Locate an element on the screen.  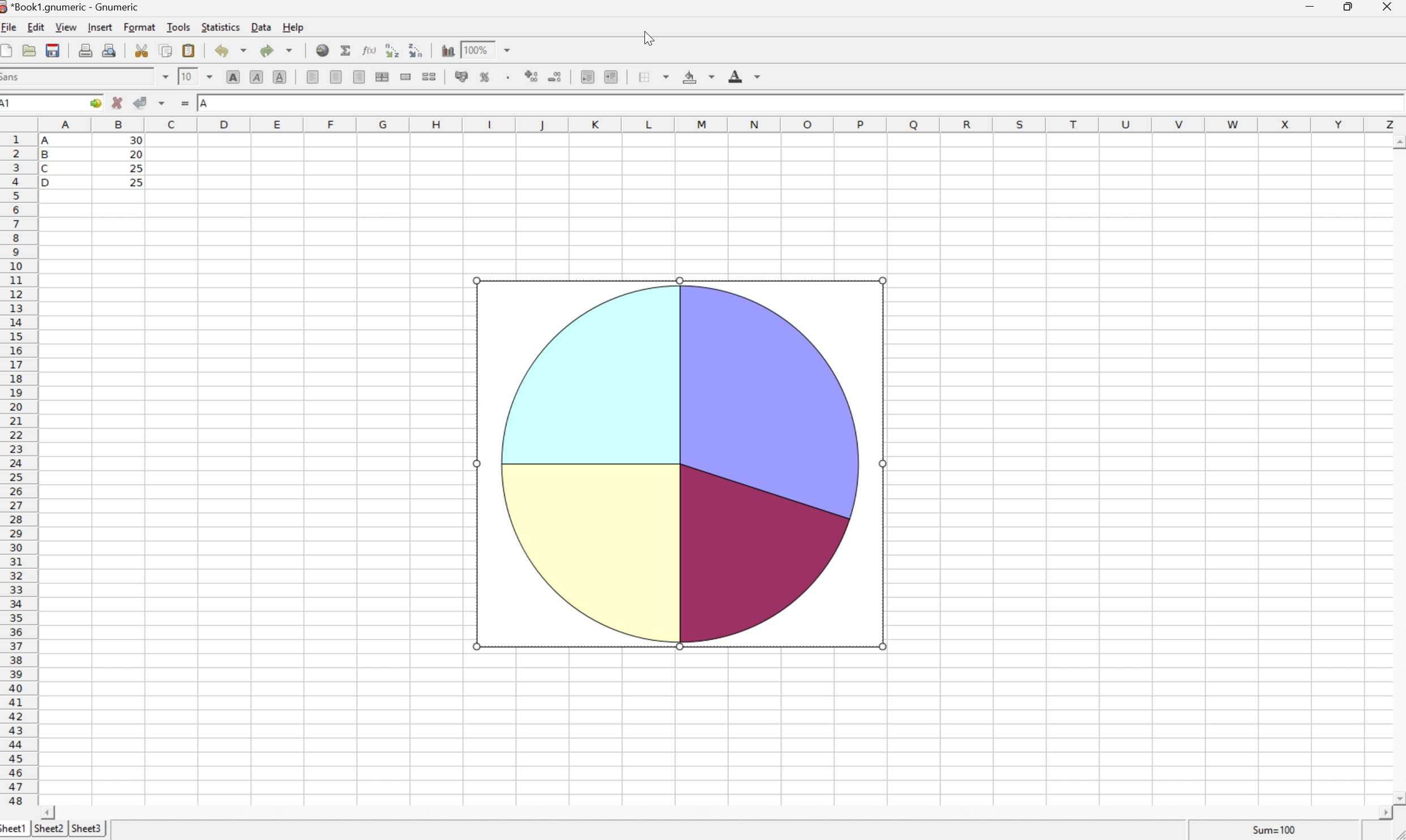
View is located at coordinates (67, 27).